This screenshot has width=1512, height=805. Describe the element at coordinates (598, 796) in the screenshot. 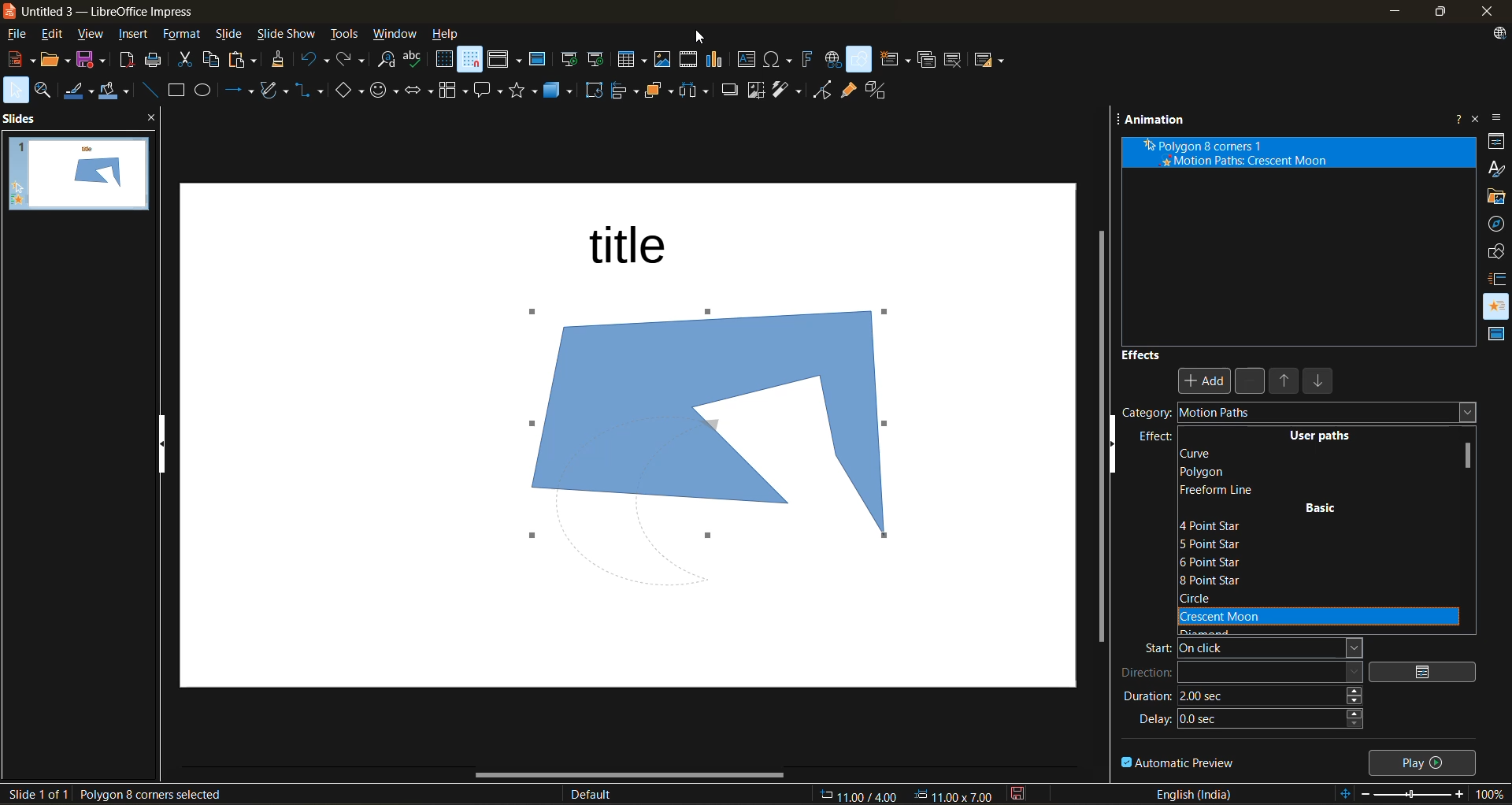

I see `slide master name` at that location.